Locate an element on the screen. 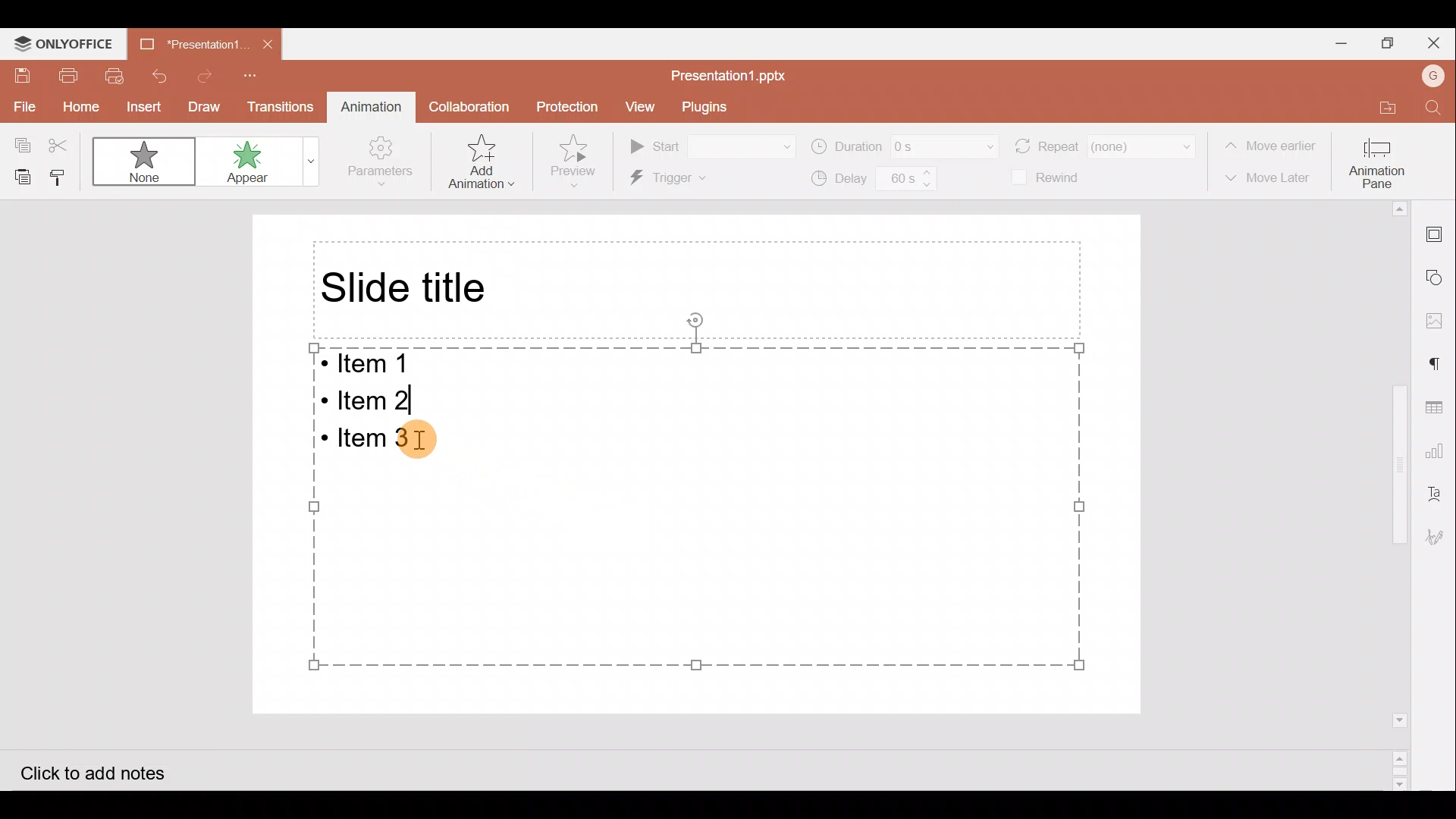  Draw is located at coordinates (201, 107).